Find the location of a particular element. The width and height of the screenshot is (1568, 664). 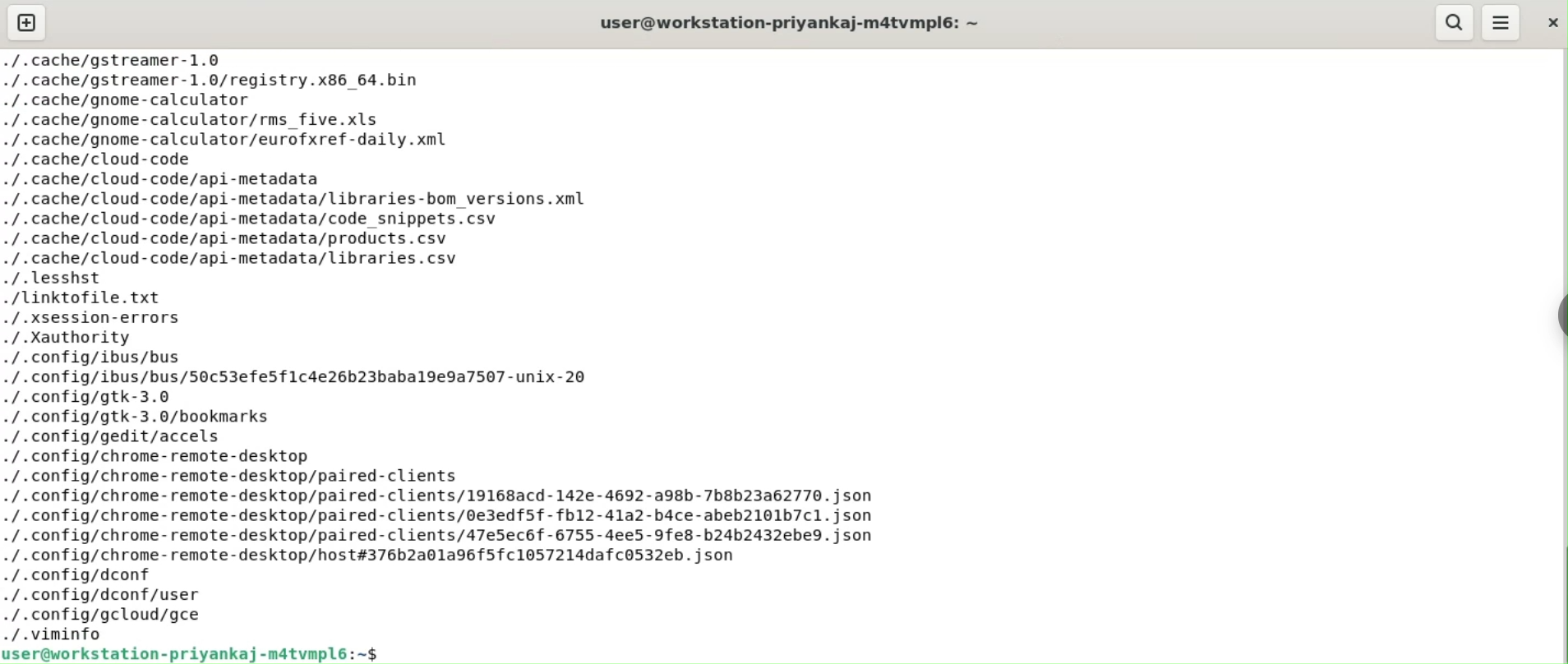

user@workstation-priyankaj-mdatvmpl6:~$ is located at coordinates (196, 653).